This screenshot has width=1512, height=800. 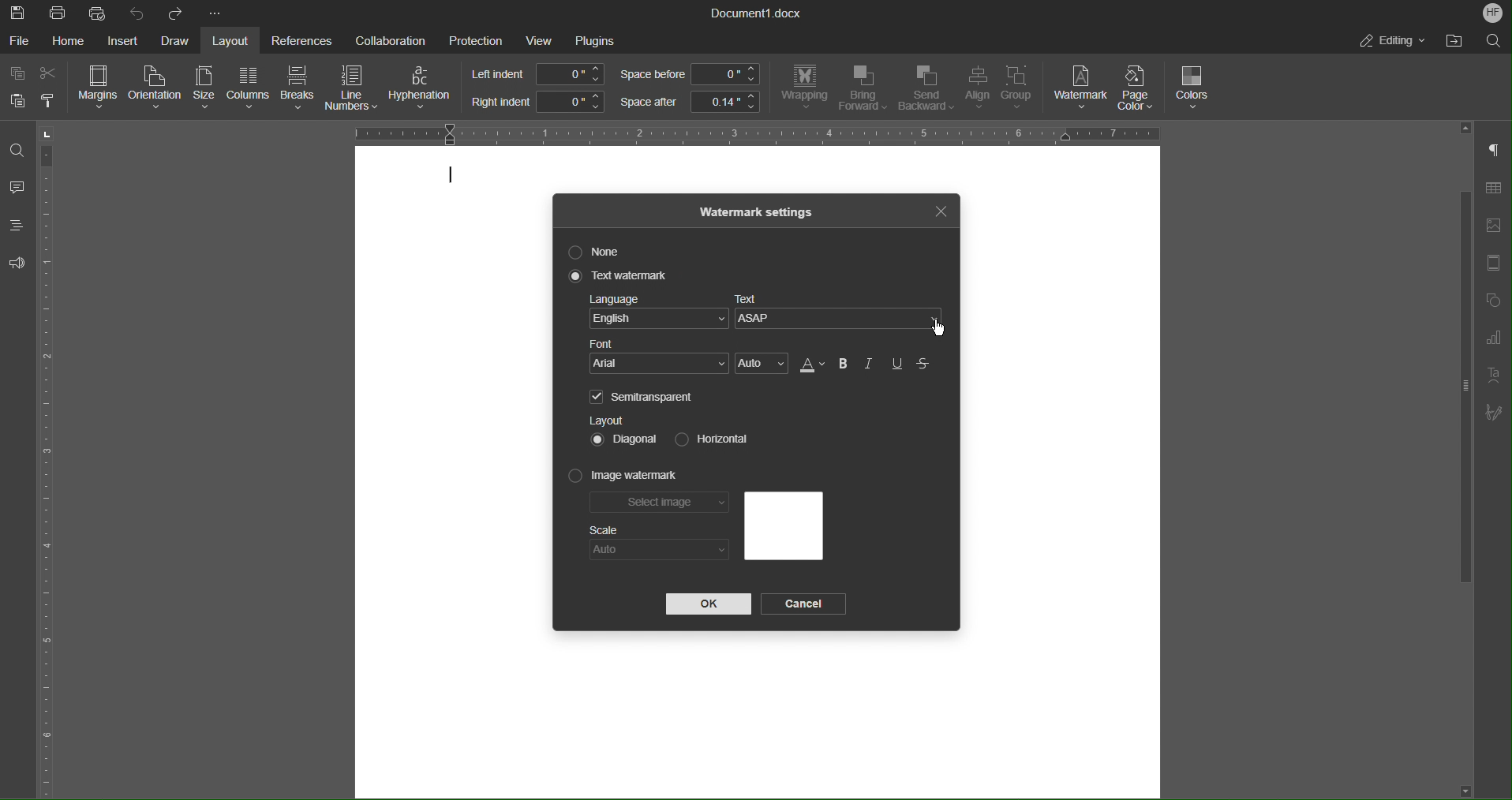 What do you see at coordinates (842, 315) in the screenshot?
I see `Text` at bounding box center [842, 315].